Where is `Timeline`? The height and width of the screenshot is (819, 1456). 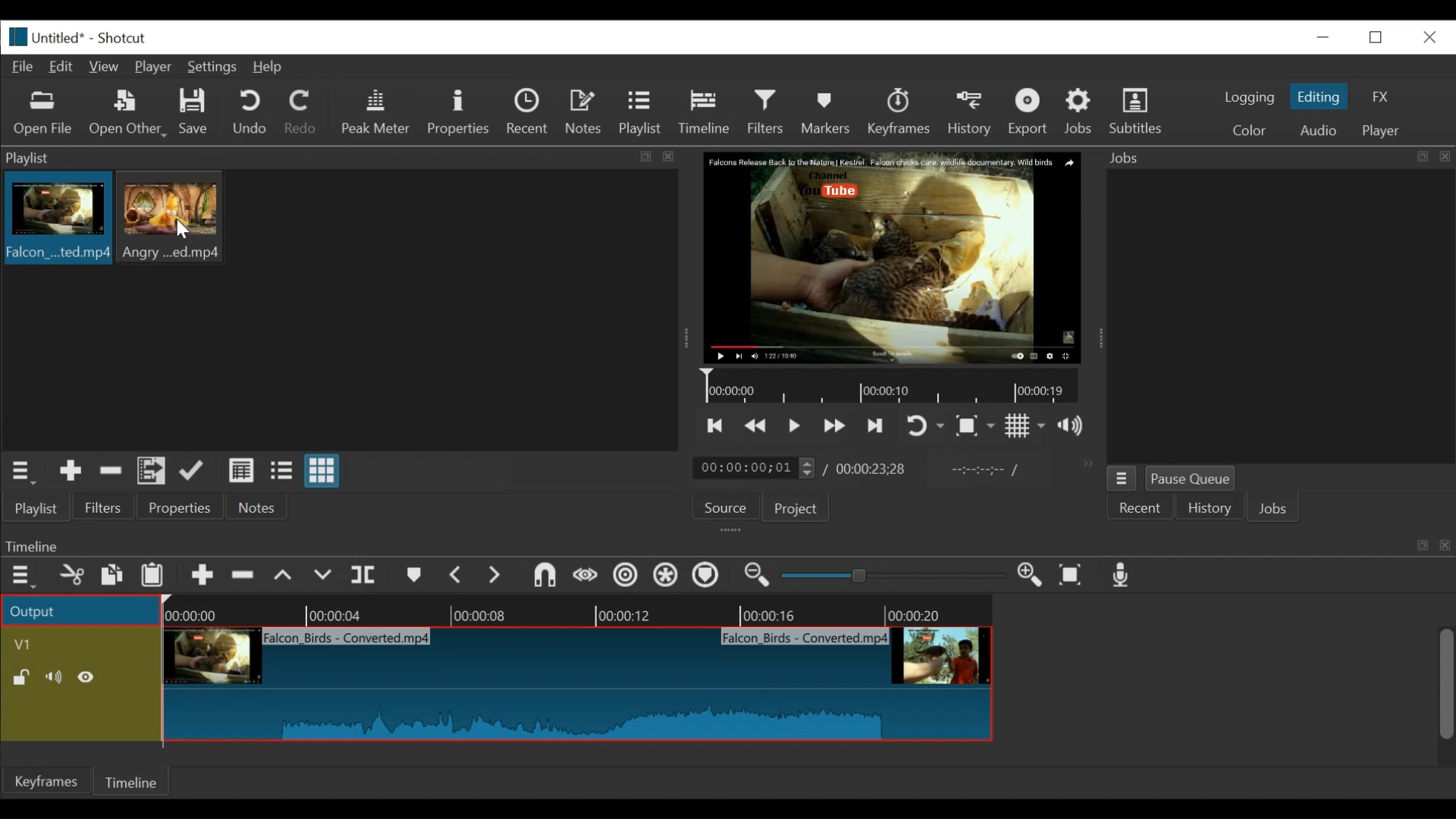 Timeline is located at coordinates (708, 109).